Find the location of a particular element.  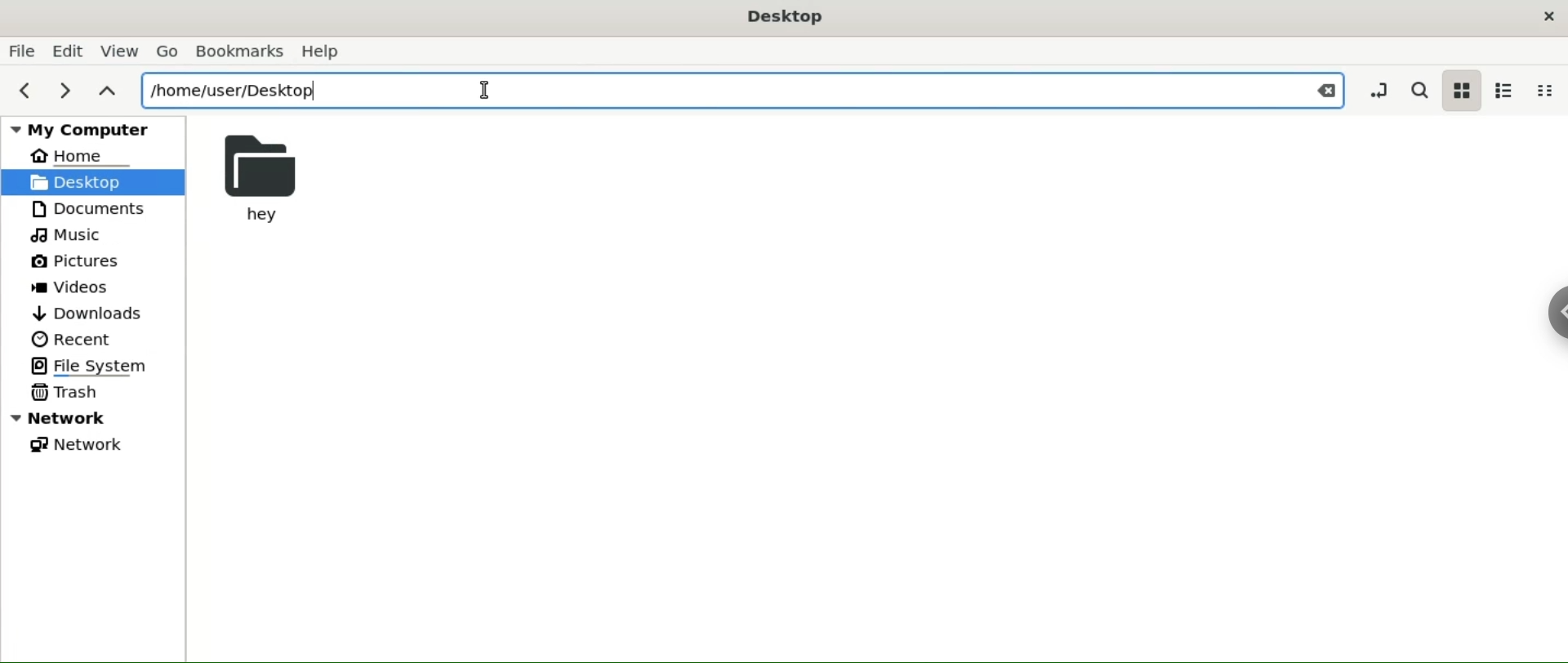

location is located at coordinates (742, 90).